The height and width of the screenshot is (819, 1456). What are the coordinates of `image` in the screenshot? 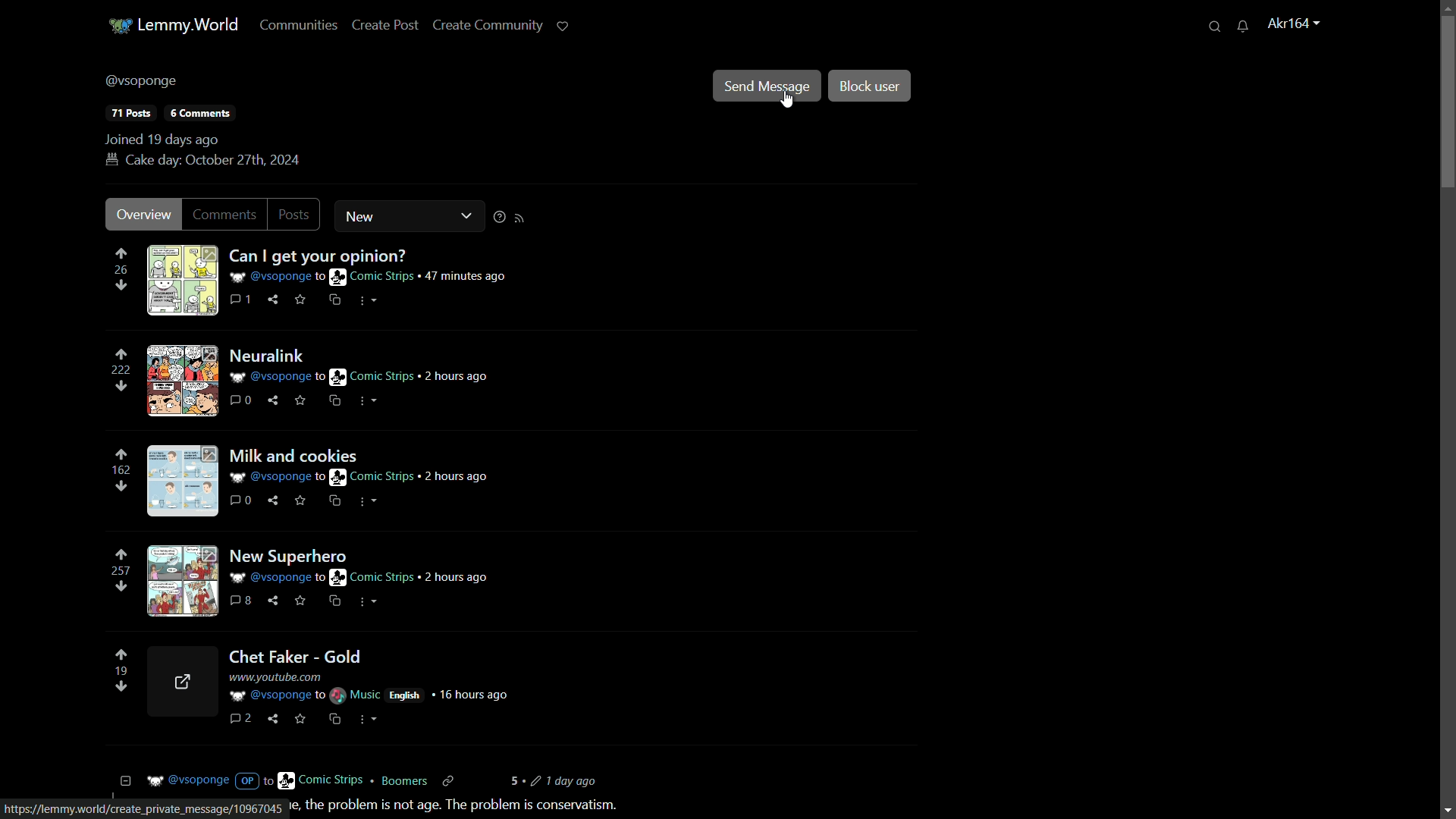 It's located at (180, 281).